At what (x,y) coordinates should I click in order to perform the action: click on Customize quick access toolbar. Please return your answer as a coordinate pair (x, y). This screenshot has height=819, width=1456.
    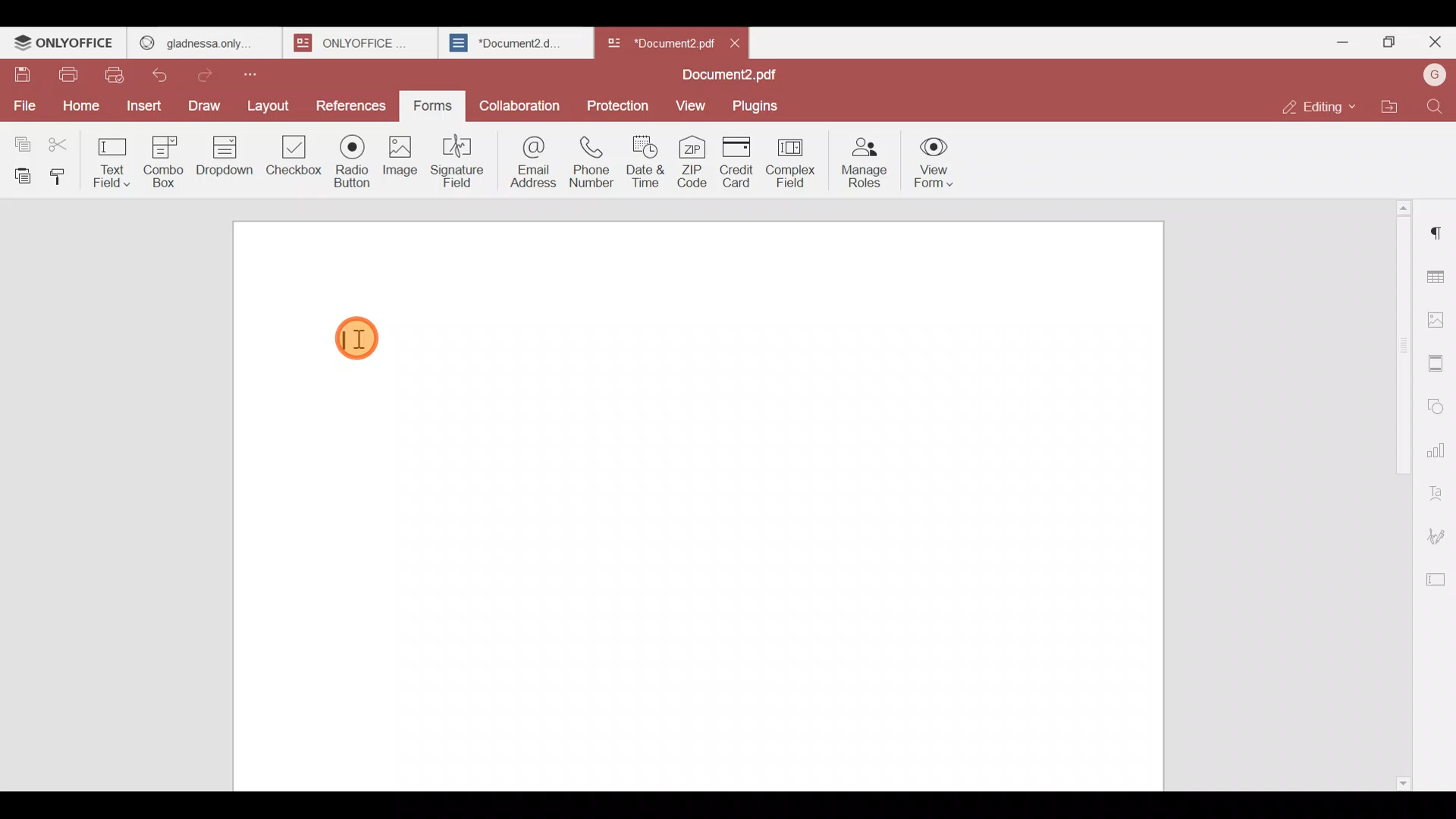
    Looking at the image, I should click on (265, 73).